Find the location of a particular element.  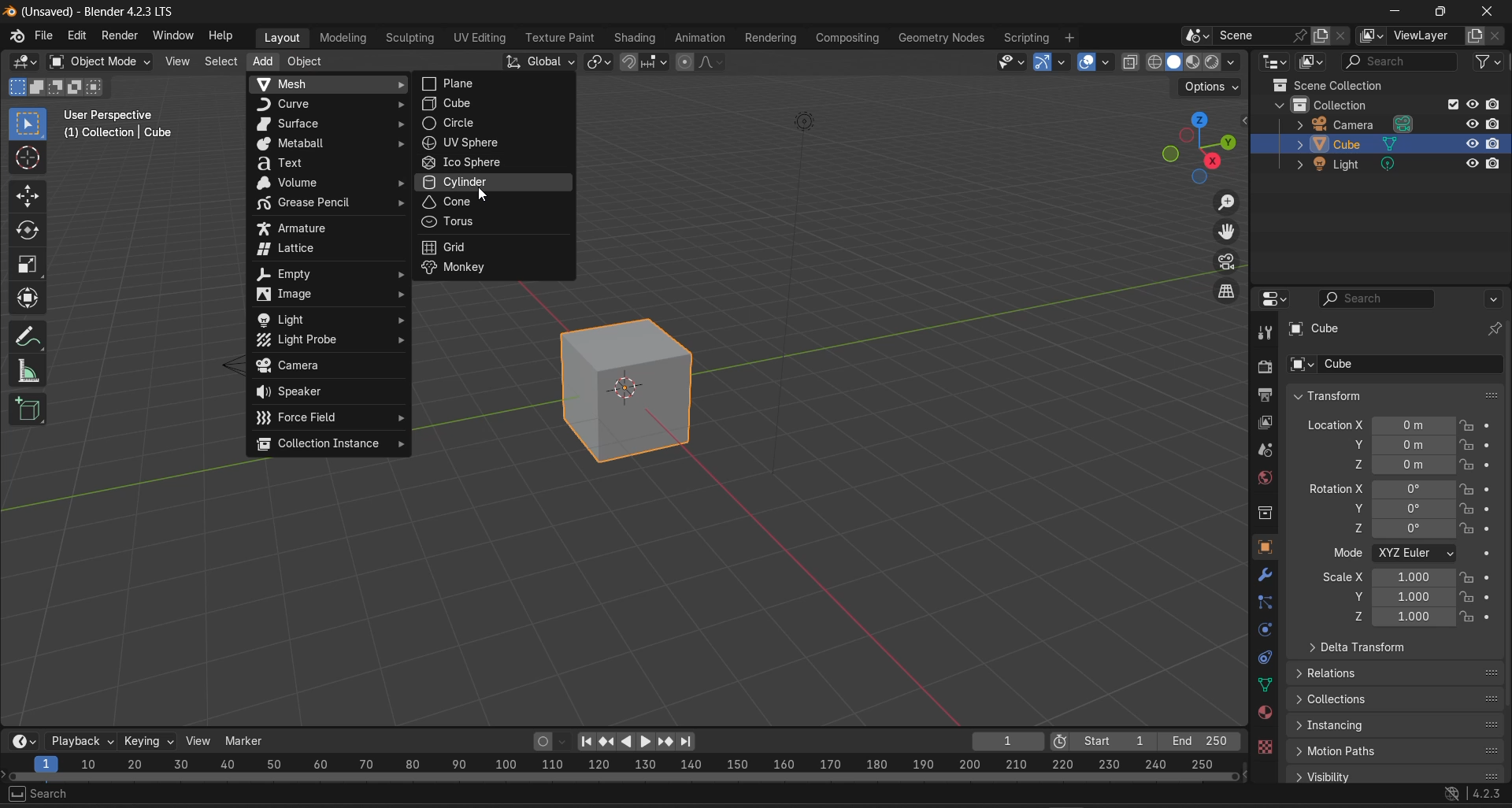

overlays is located at coordinates (1111, 61).